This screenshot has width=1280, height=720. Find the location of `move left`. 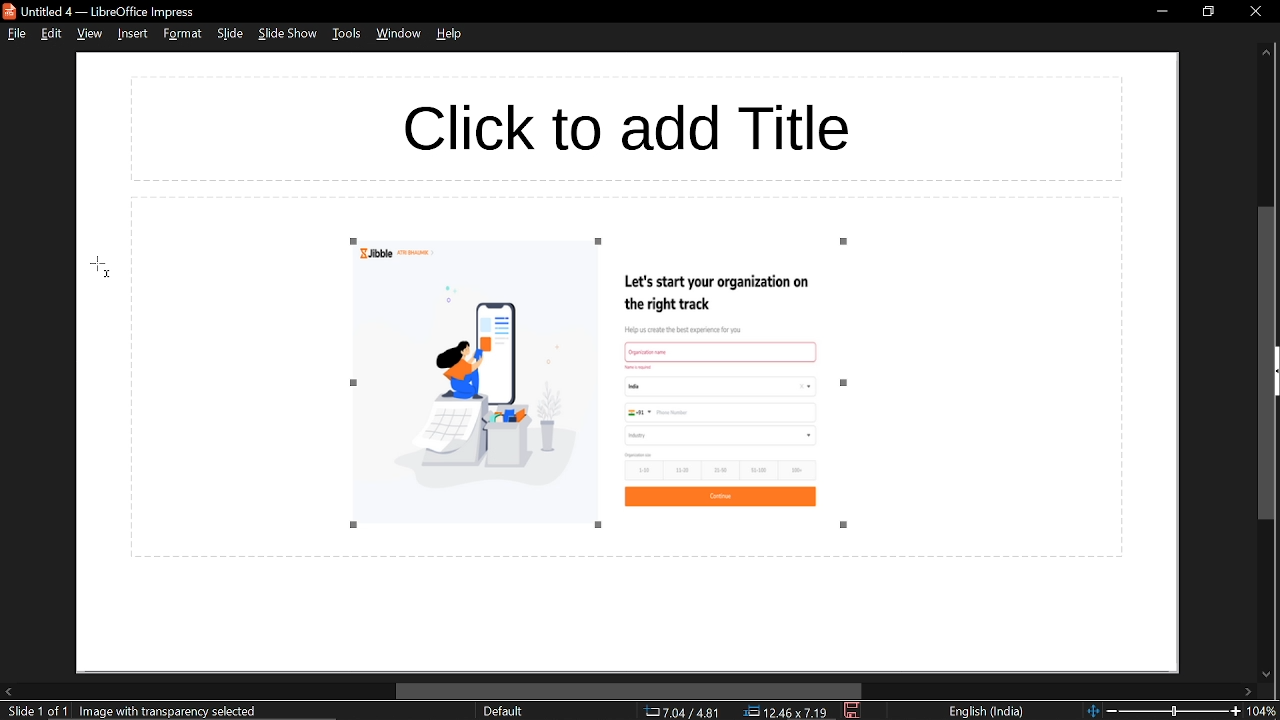

move left is located at coordinates (8, 692).